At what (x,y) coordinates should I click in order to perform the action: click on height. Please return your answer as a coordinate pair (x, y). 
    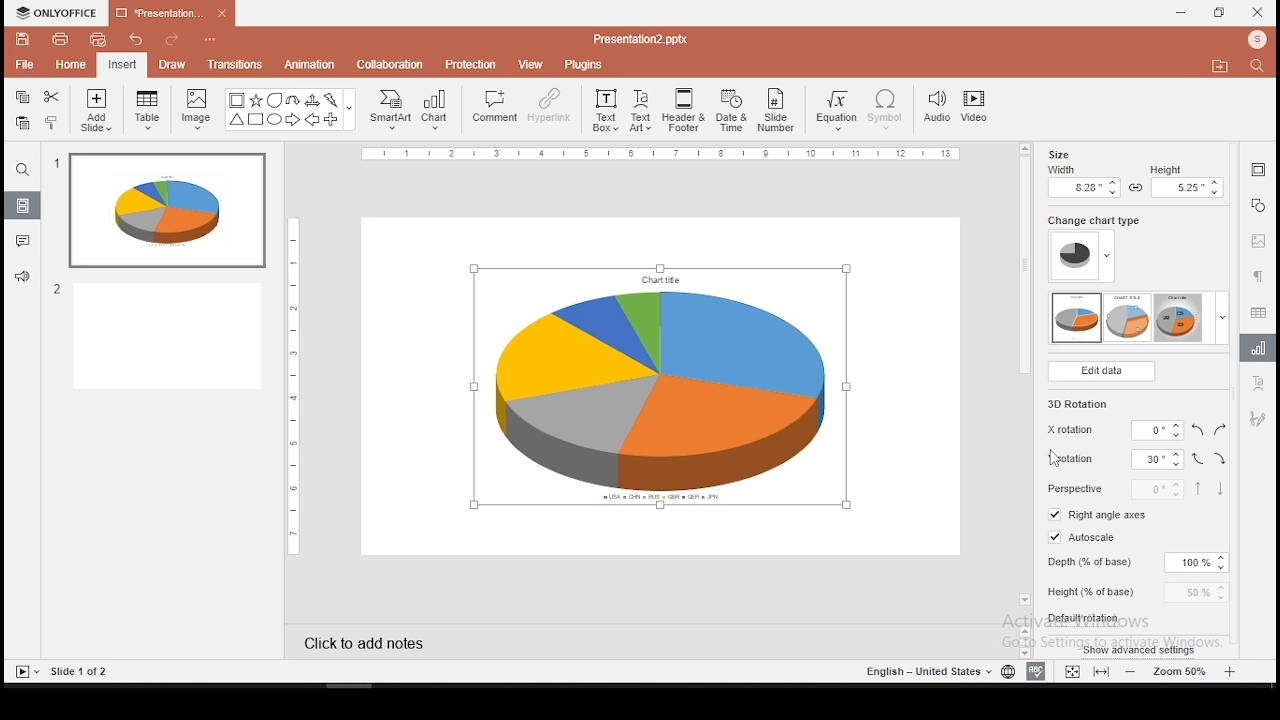
    Looking at the image, I should click on (1136, 591).